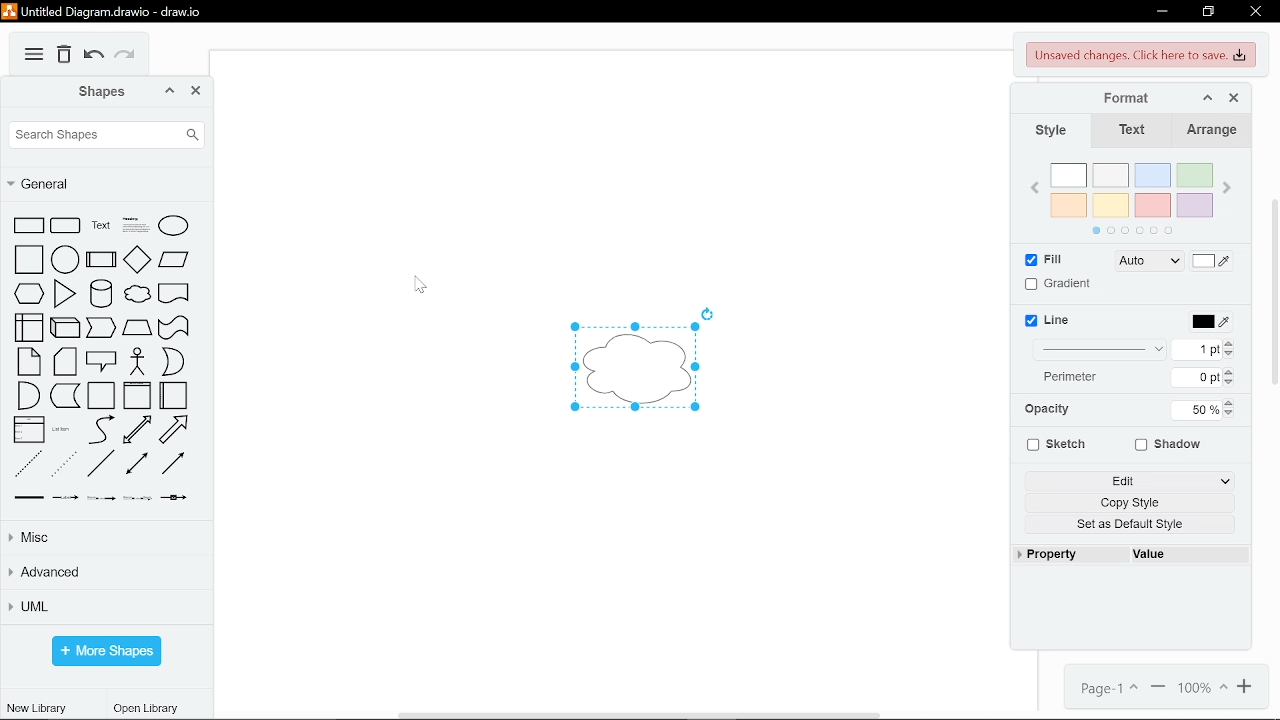  Describe the element at coordinates (138, 328) in the screenshot. I see `trapezoid` at that location.